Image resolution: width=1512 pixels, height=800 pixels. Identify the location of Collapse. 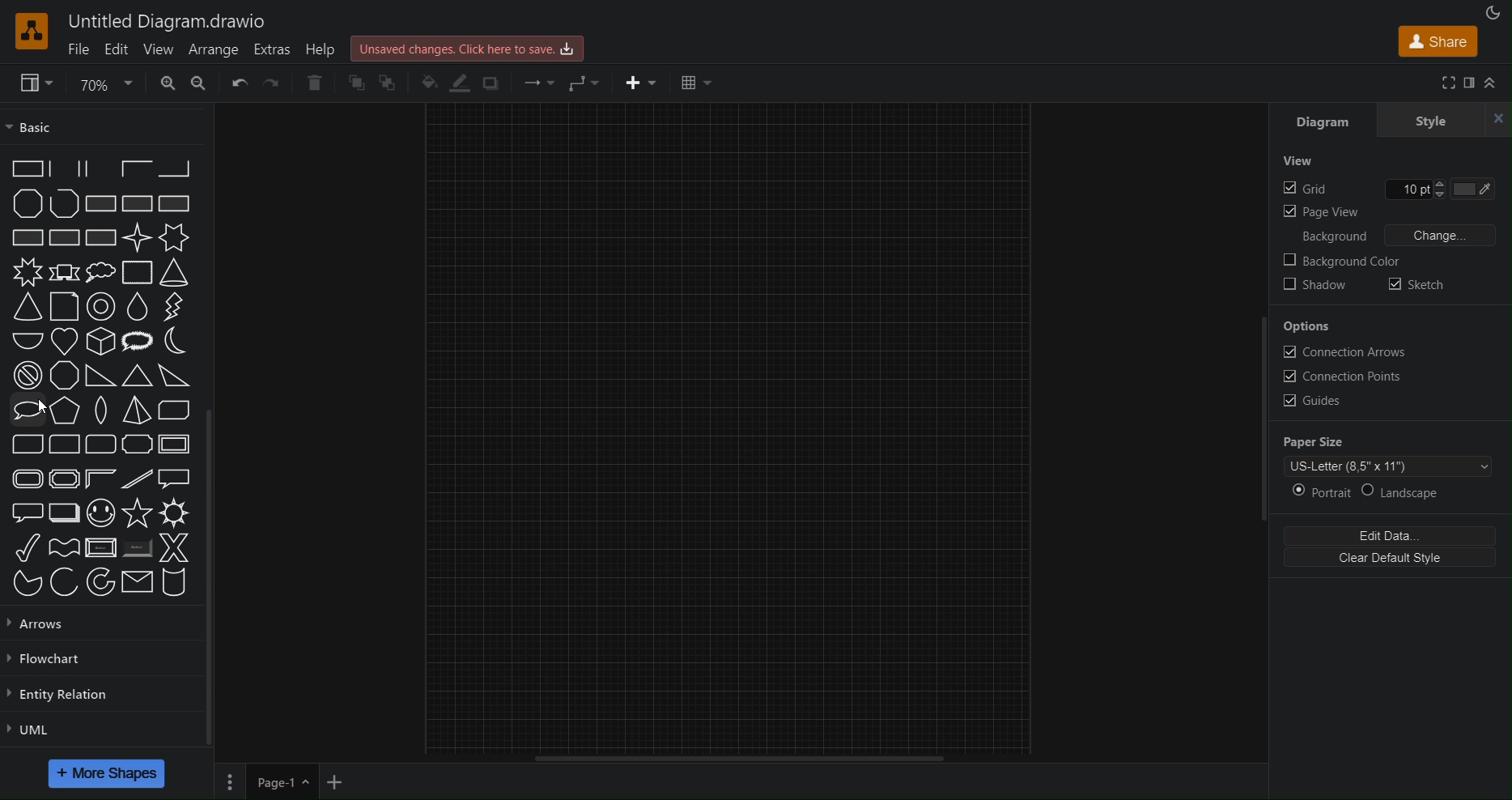
(1497, 83).